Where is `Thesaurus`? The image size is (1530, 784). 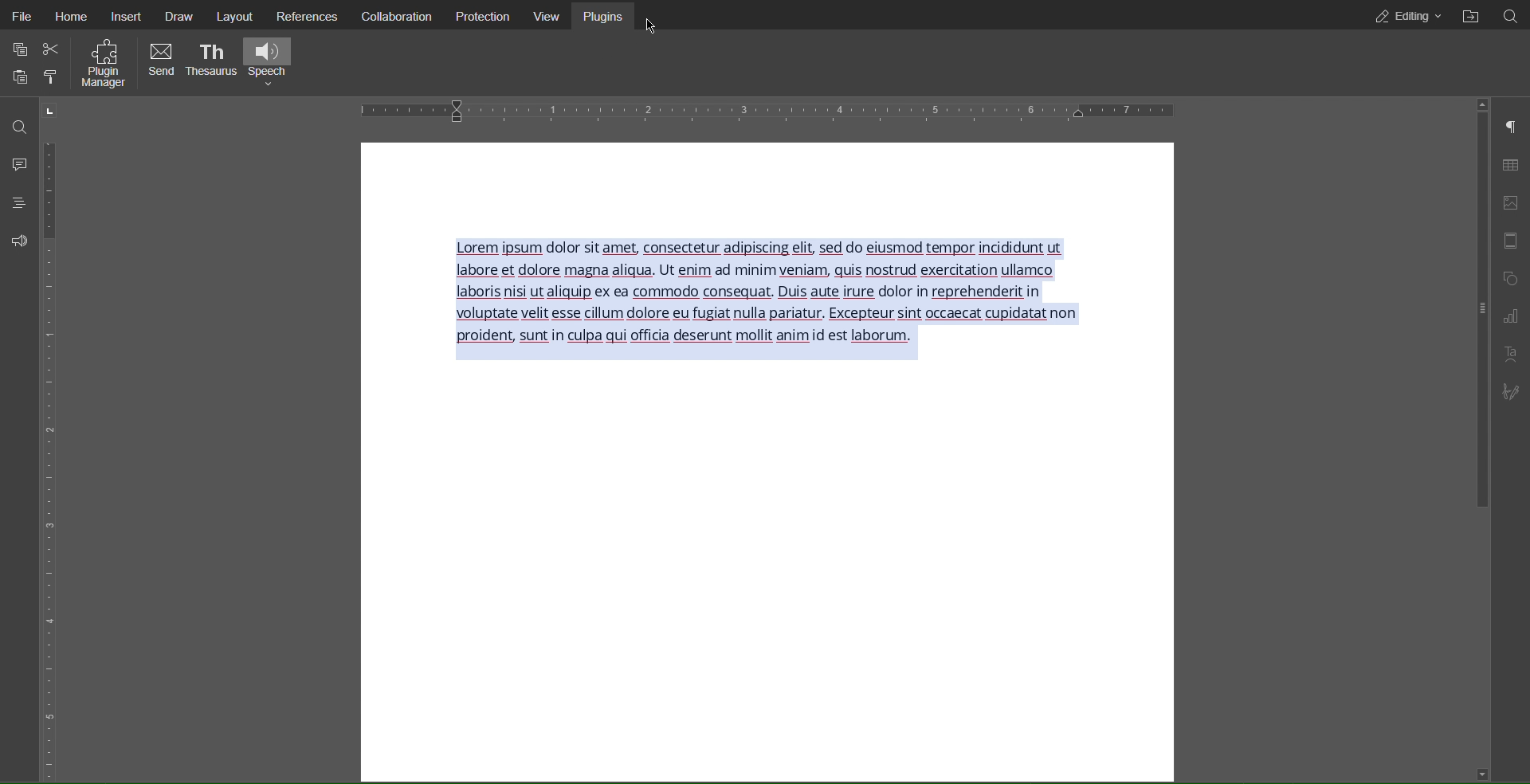 Thesaurus is located at coordinates (210, 61).